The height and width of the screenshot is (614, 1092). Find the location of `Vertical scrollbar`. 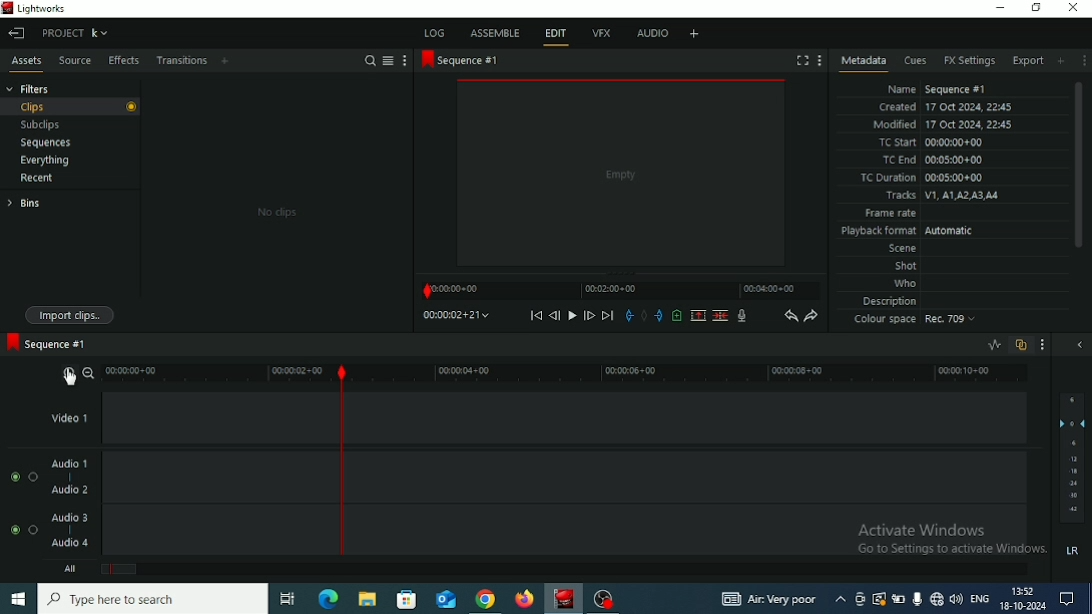

Vertical scrollbar is located at coordinates (1078, 164).